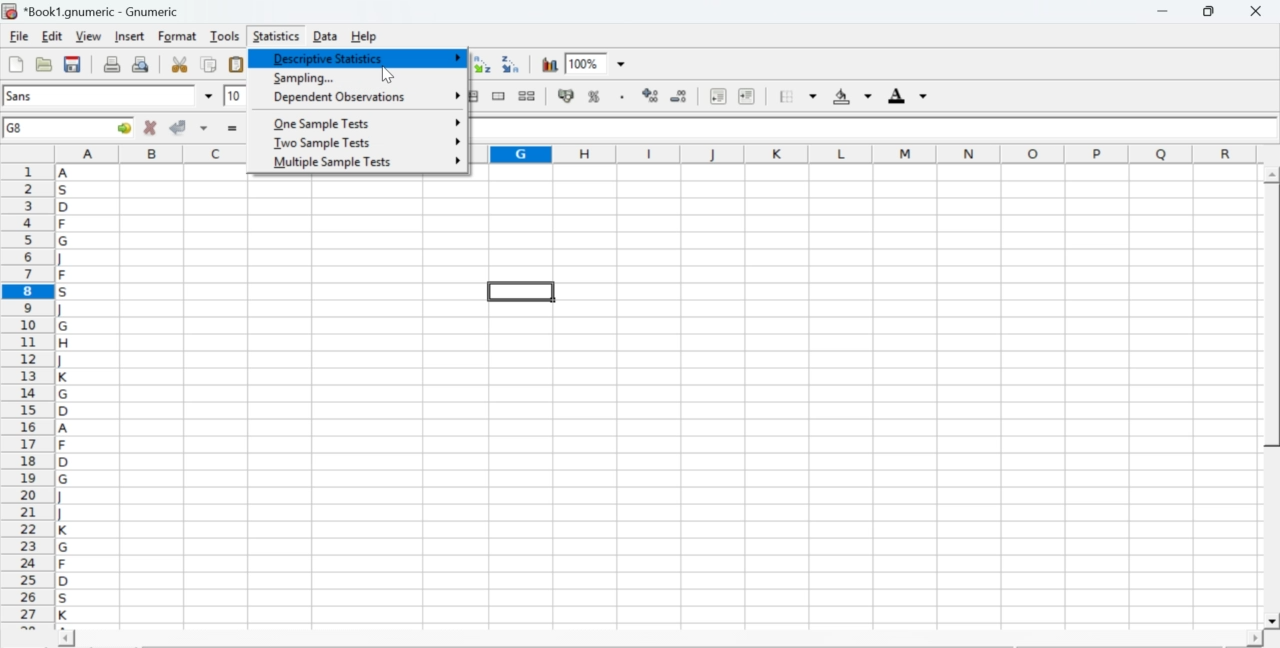  I want to click on format, so click(178, 36).